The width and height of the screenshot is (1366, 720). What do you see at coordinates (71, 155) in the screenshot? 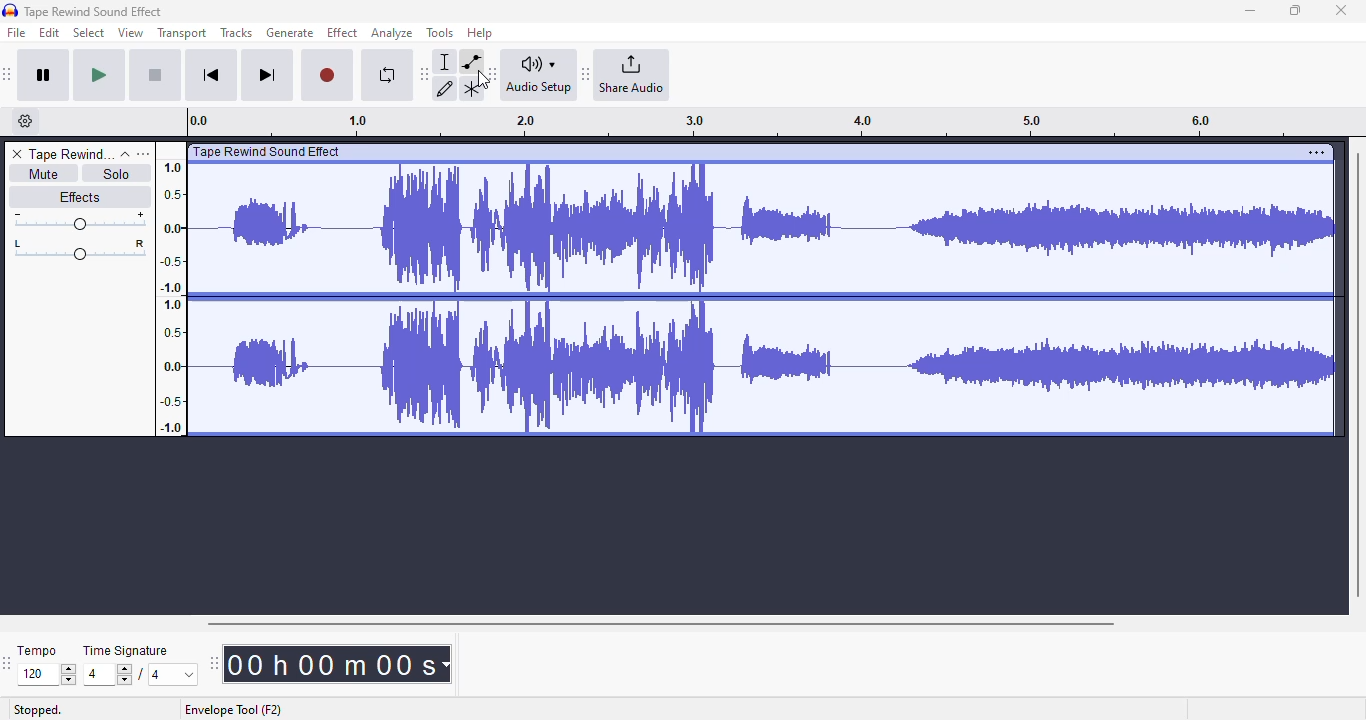
I see `track name` at bounding box center [71, 155].